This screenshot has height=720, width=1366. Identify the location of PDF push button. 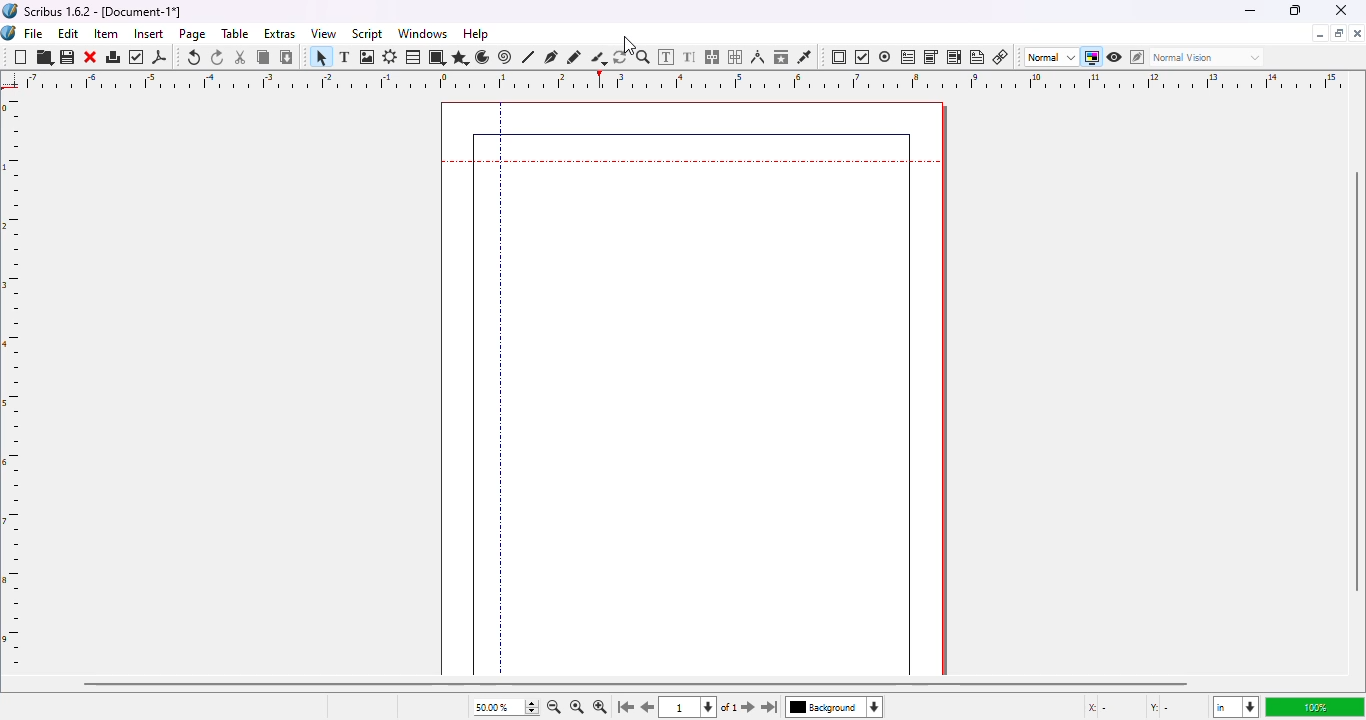
(839, 57).